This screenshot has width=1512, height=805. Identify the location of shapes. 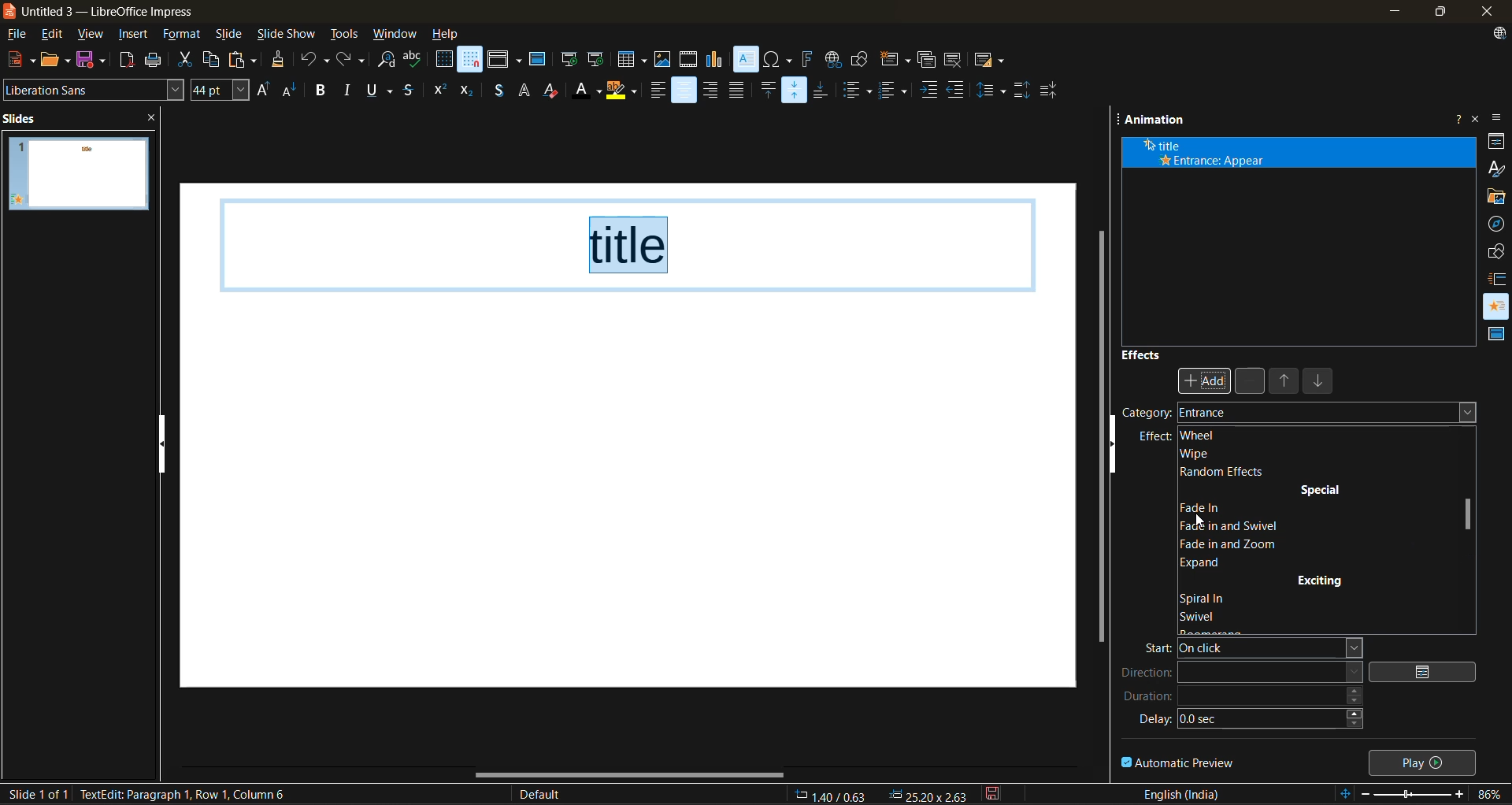
(1498, 251).